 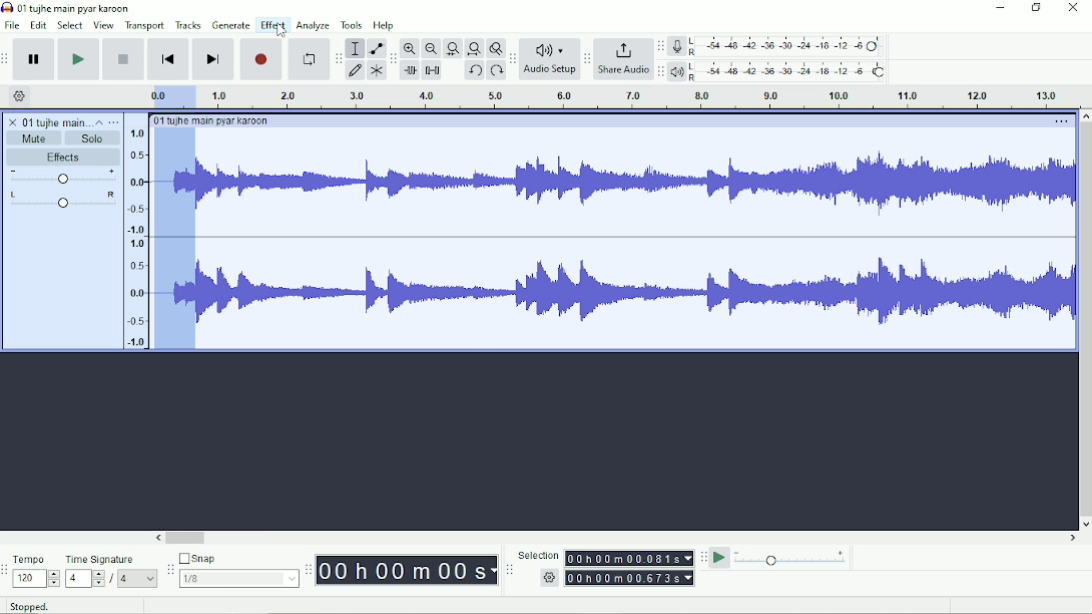 What do you see at coordinates (617, 539) in the screenshot?
I see `Horizontal scrollbar` at bounding box center [617, 539].